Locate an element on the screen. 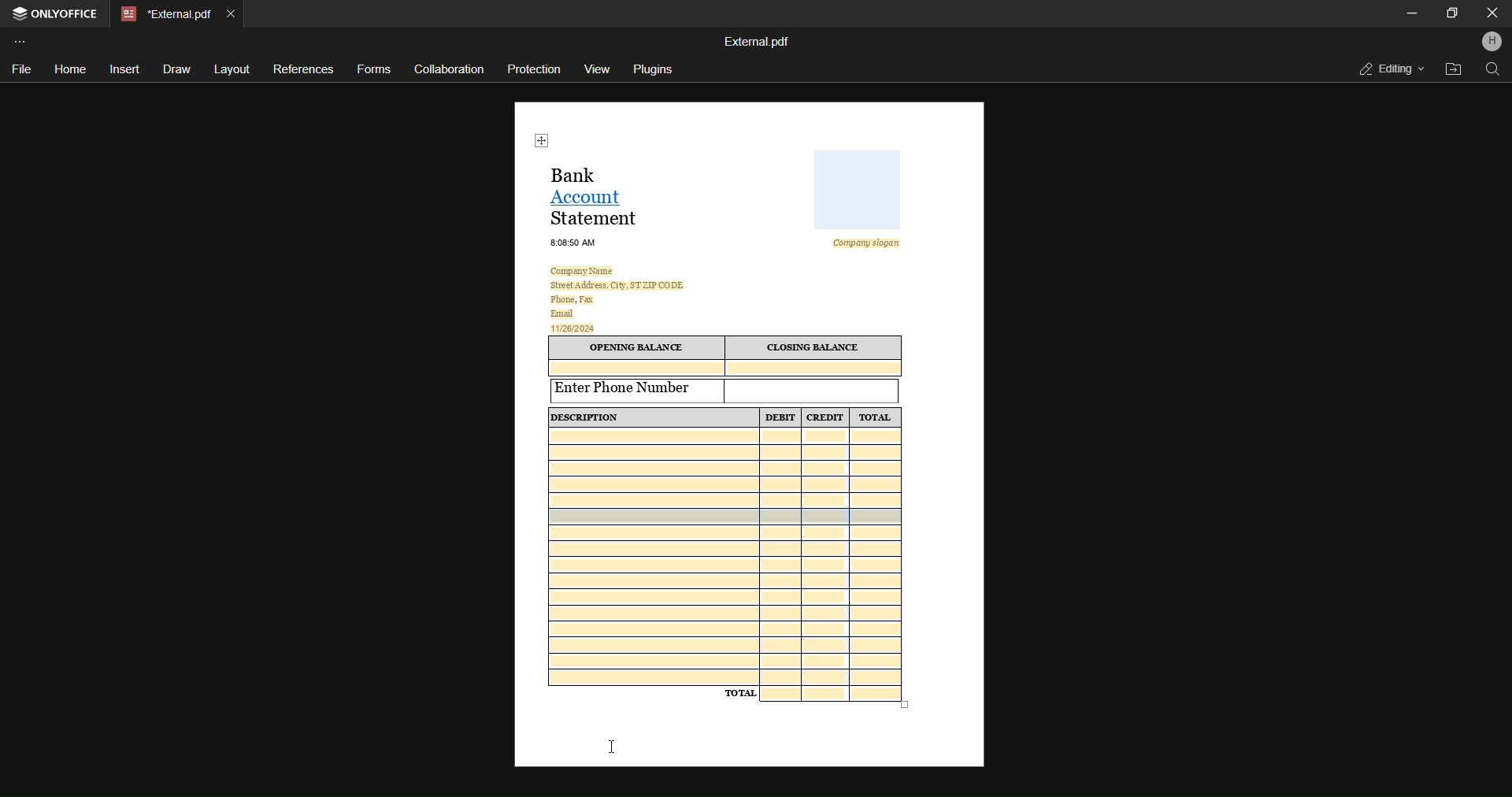 This screenshot has width=1512, height=797. I cursor is located at coordinates (613, 747).